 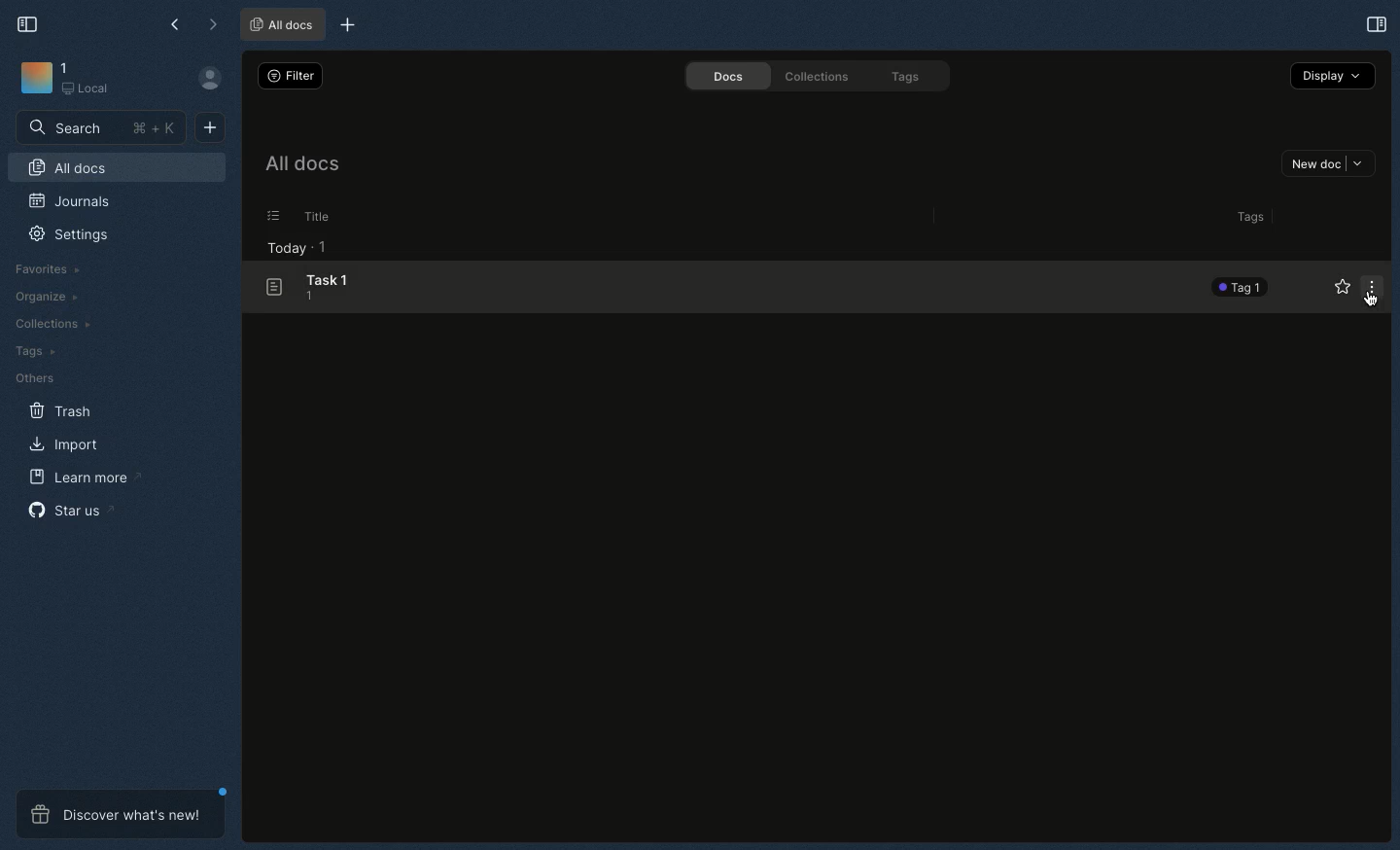 I want to click on Today, so click(x=282, y=249).